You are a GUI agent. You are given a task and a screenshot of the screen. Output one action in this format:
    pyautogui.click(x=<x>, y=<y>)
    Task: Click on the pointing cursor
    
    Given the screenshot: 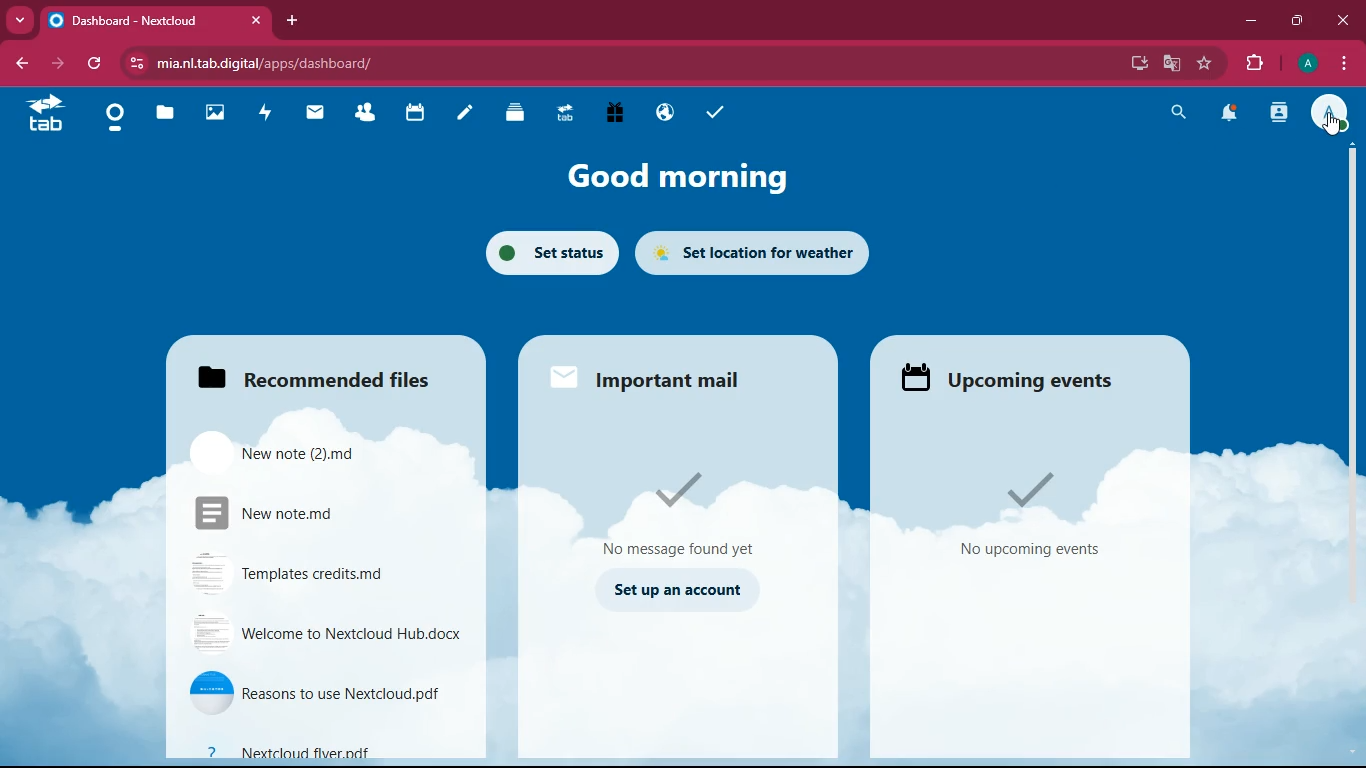 What is the action you would take?
    pyautogui.click(x=1330, y=125)
    